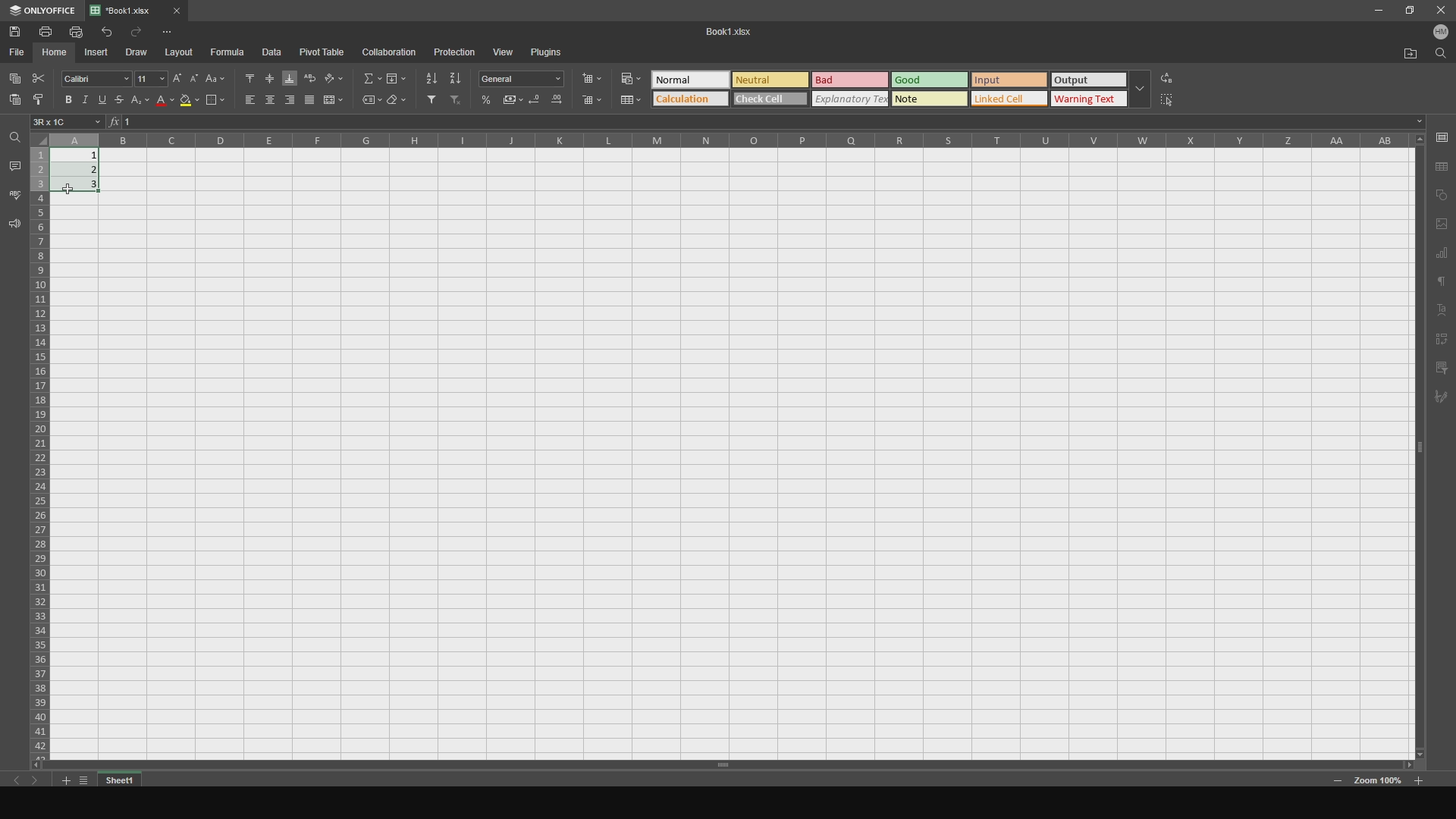 This screenshot has width=1456, height=819. Describe the element at coordinates (538, 102) in the screenshot. I see `` at that location.